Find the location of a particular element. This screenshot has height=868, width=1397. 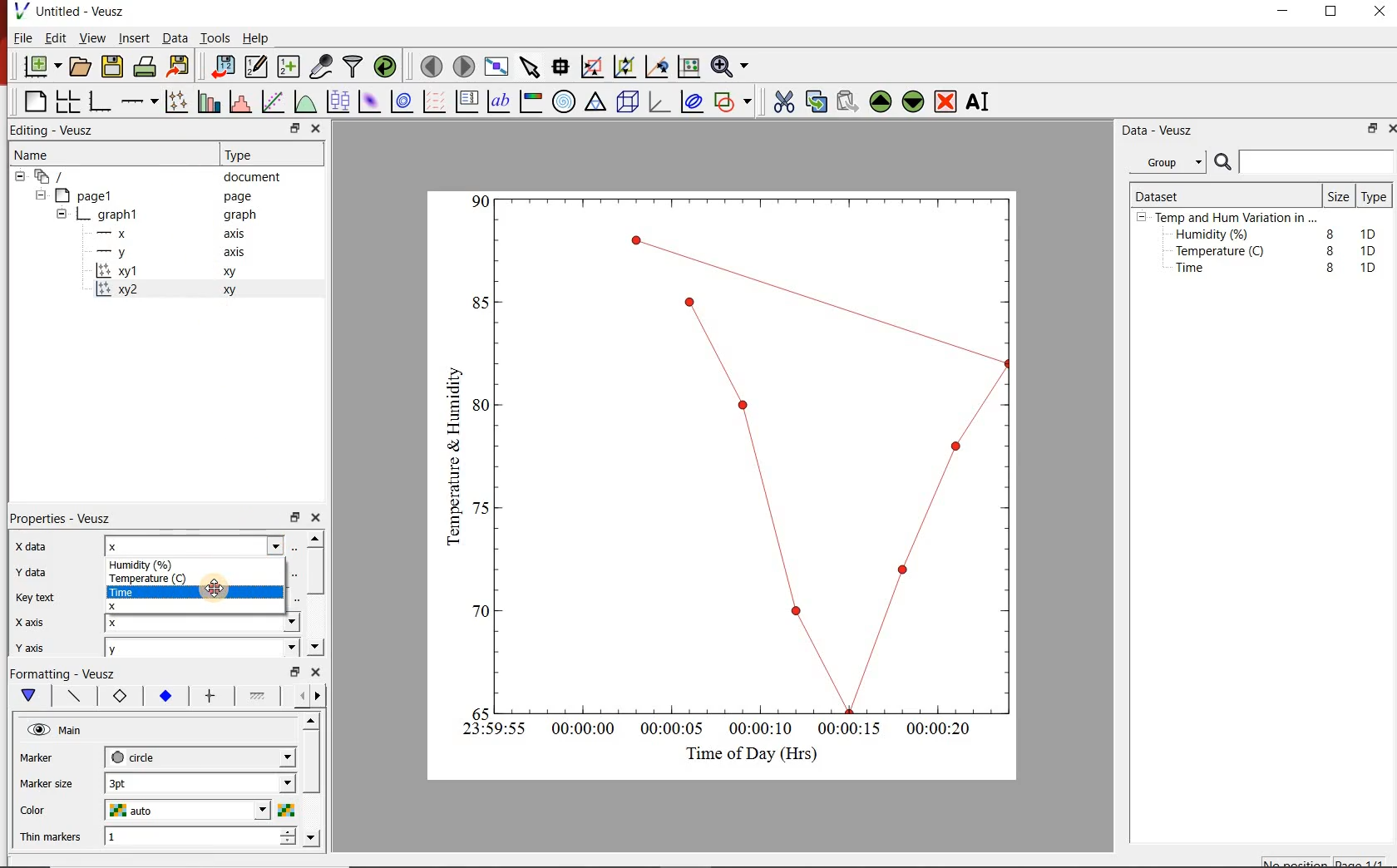

00:00:20 is located at coordinates (945, 730).